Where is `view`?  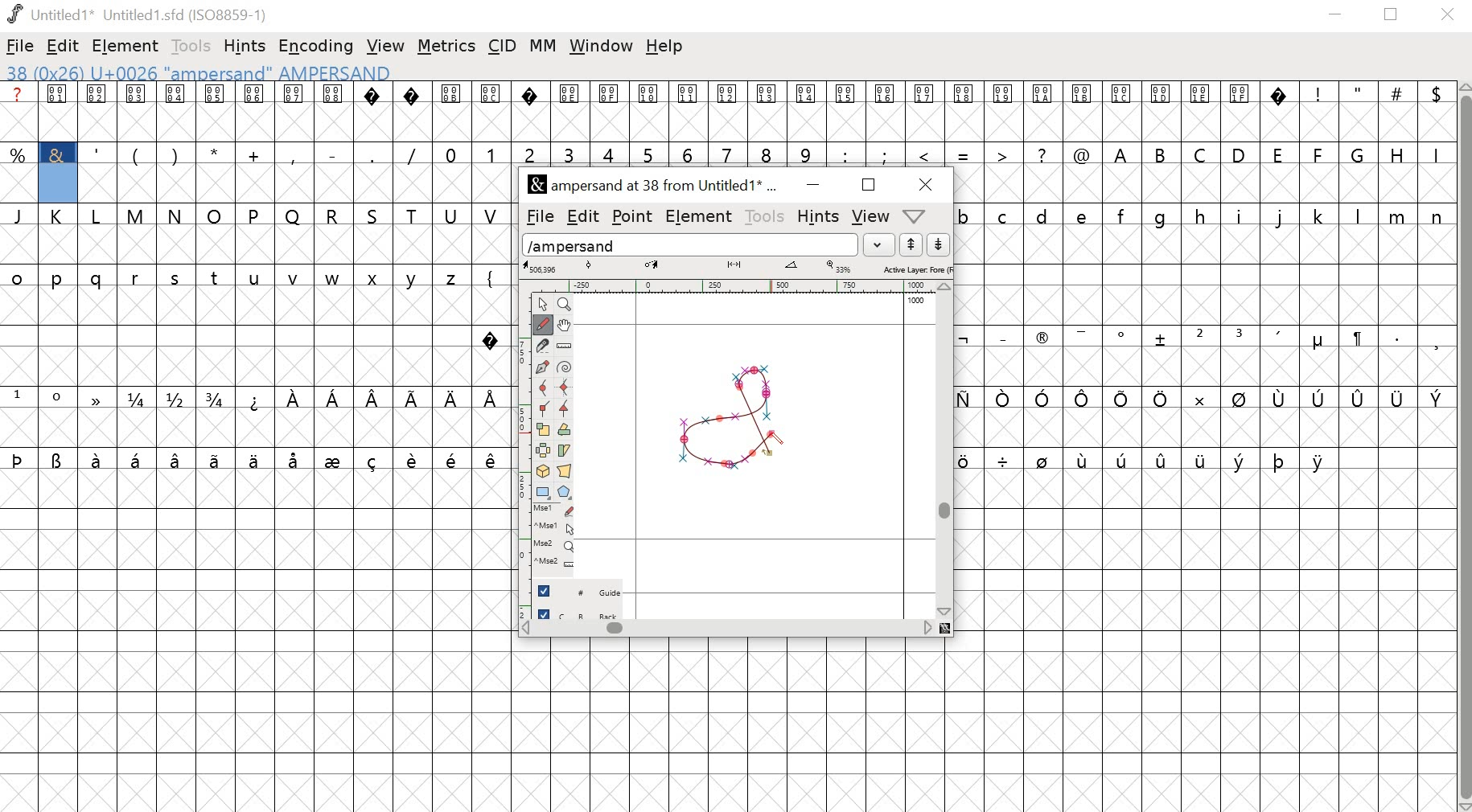
view is located at coordinates (386, 43).